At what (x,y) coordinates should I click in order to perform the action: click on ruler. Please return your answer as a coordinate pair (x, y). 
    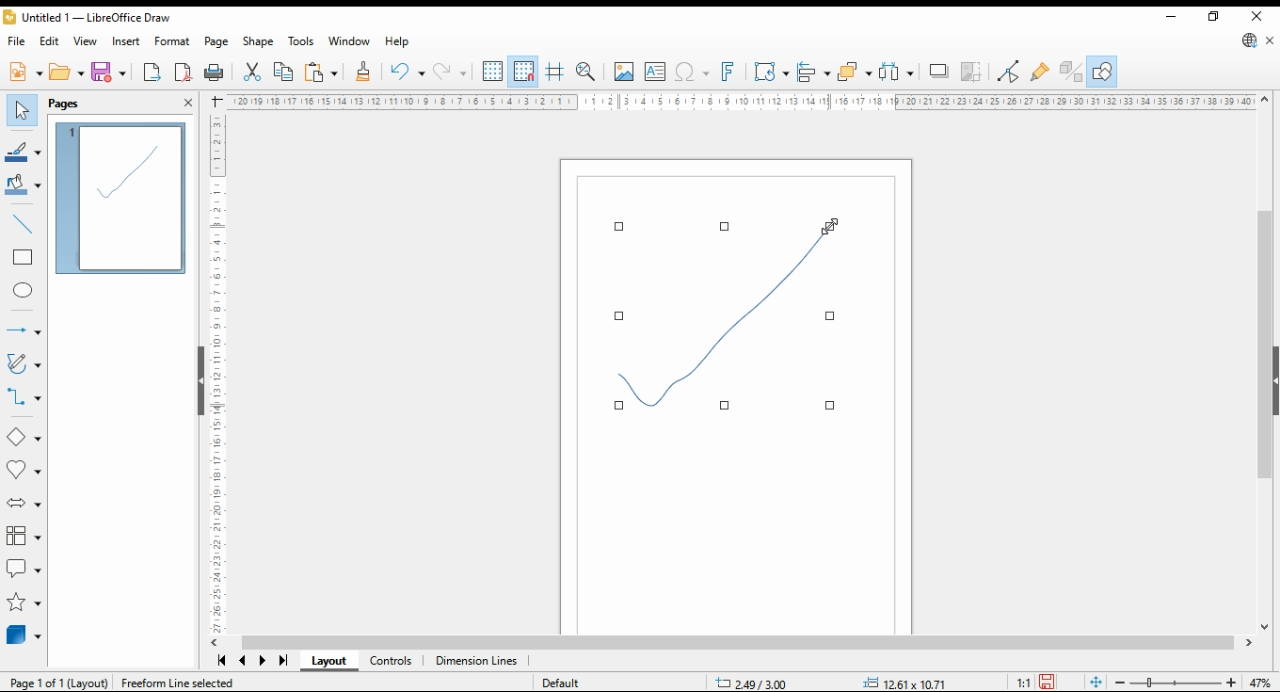
    Looking at the image, I should click on (210, 375).